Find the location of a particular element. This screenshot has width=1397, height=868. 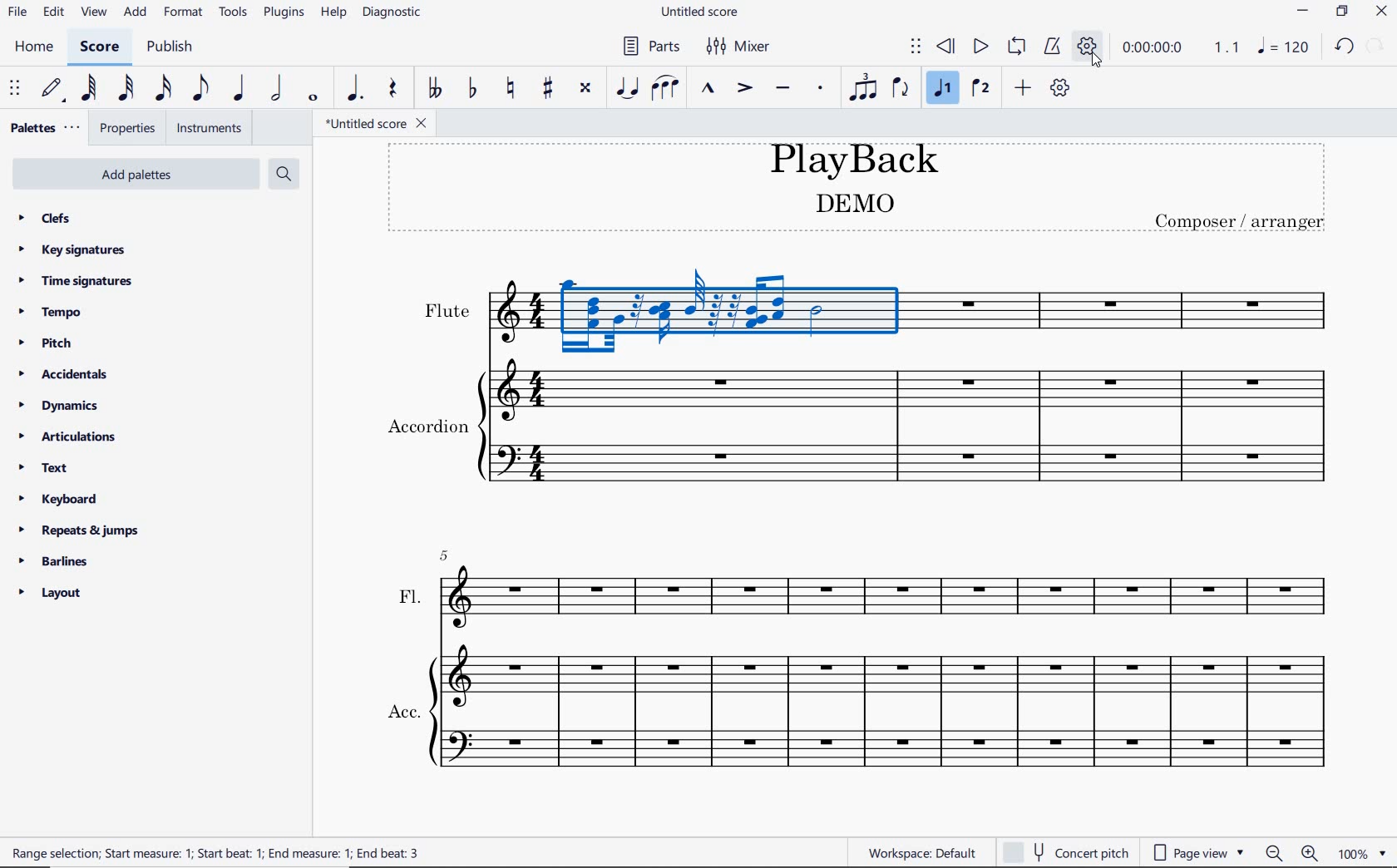

barlines is located at coordinates (59, 562).